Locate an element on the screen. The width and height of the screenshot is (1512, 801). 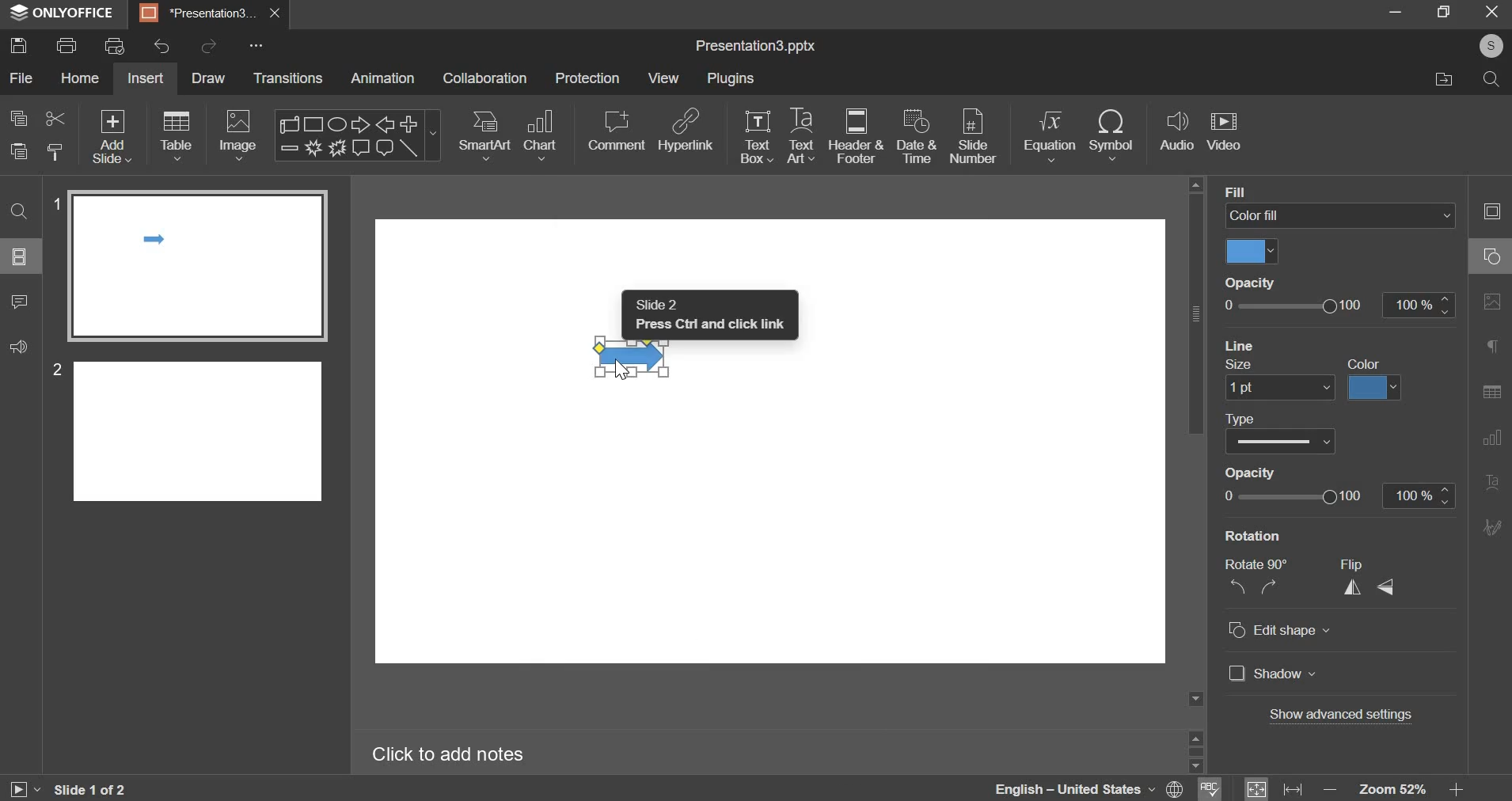
rotate clockwise is located at coordinates (1267, 586).